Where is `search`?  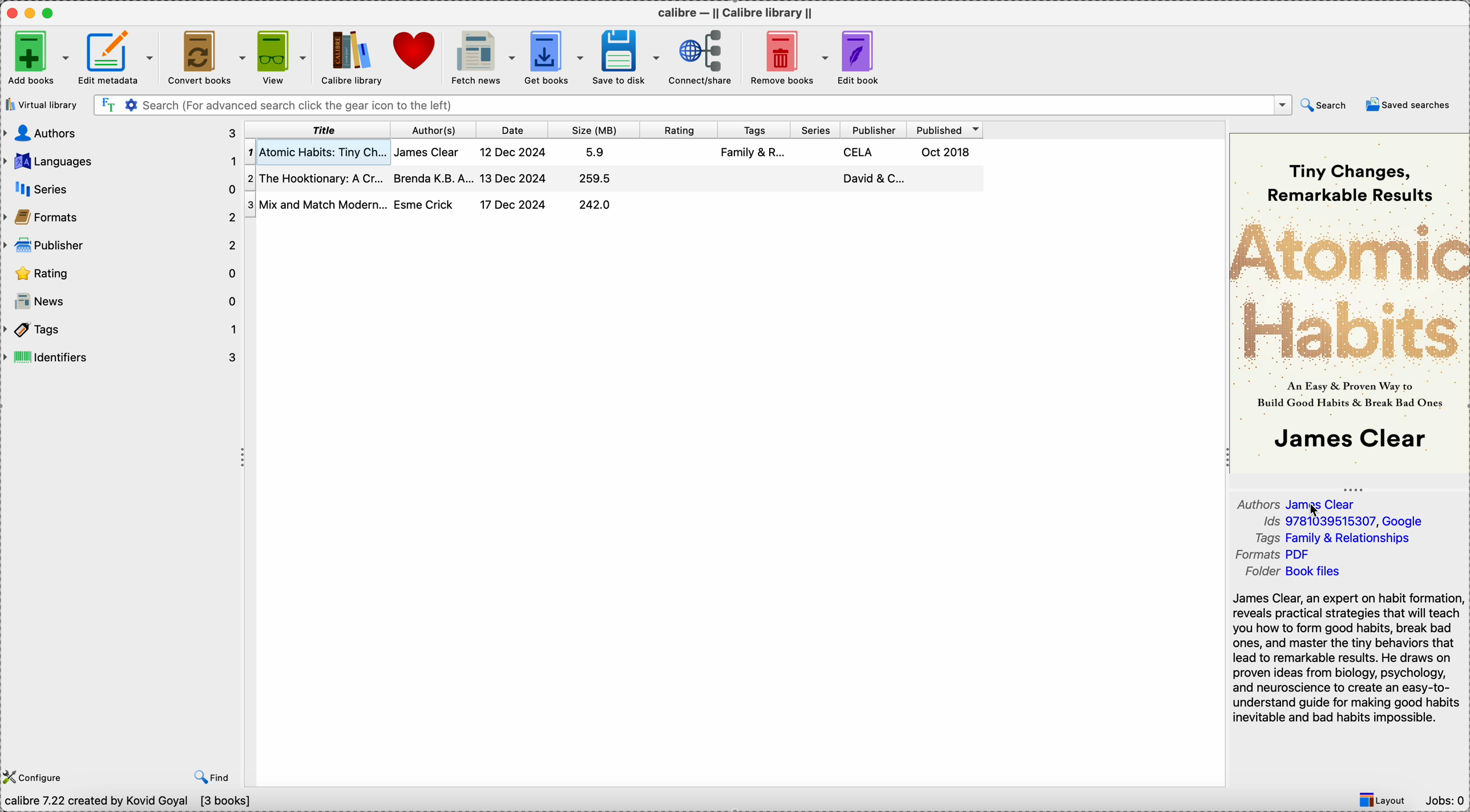 search is located at coordinates (1327, 104).